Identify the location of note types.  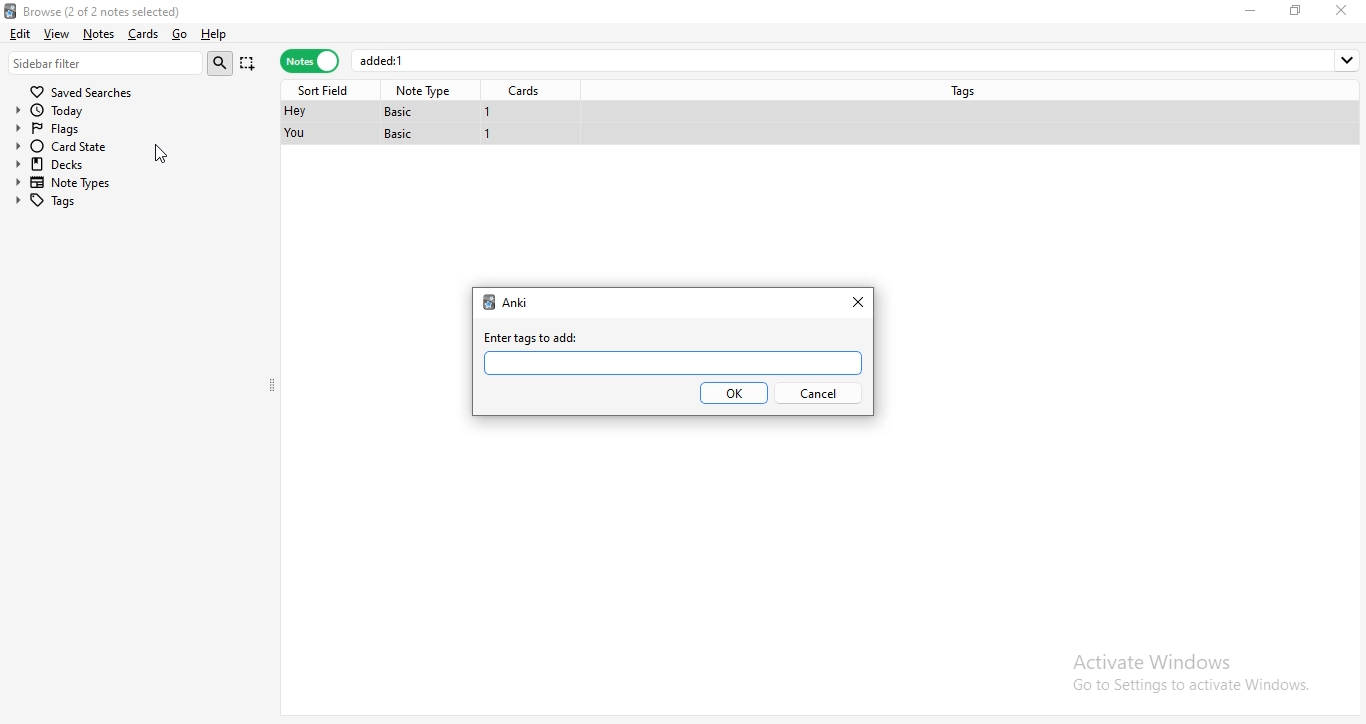
(68, 183).